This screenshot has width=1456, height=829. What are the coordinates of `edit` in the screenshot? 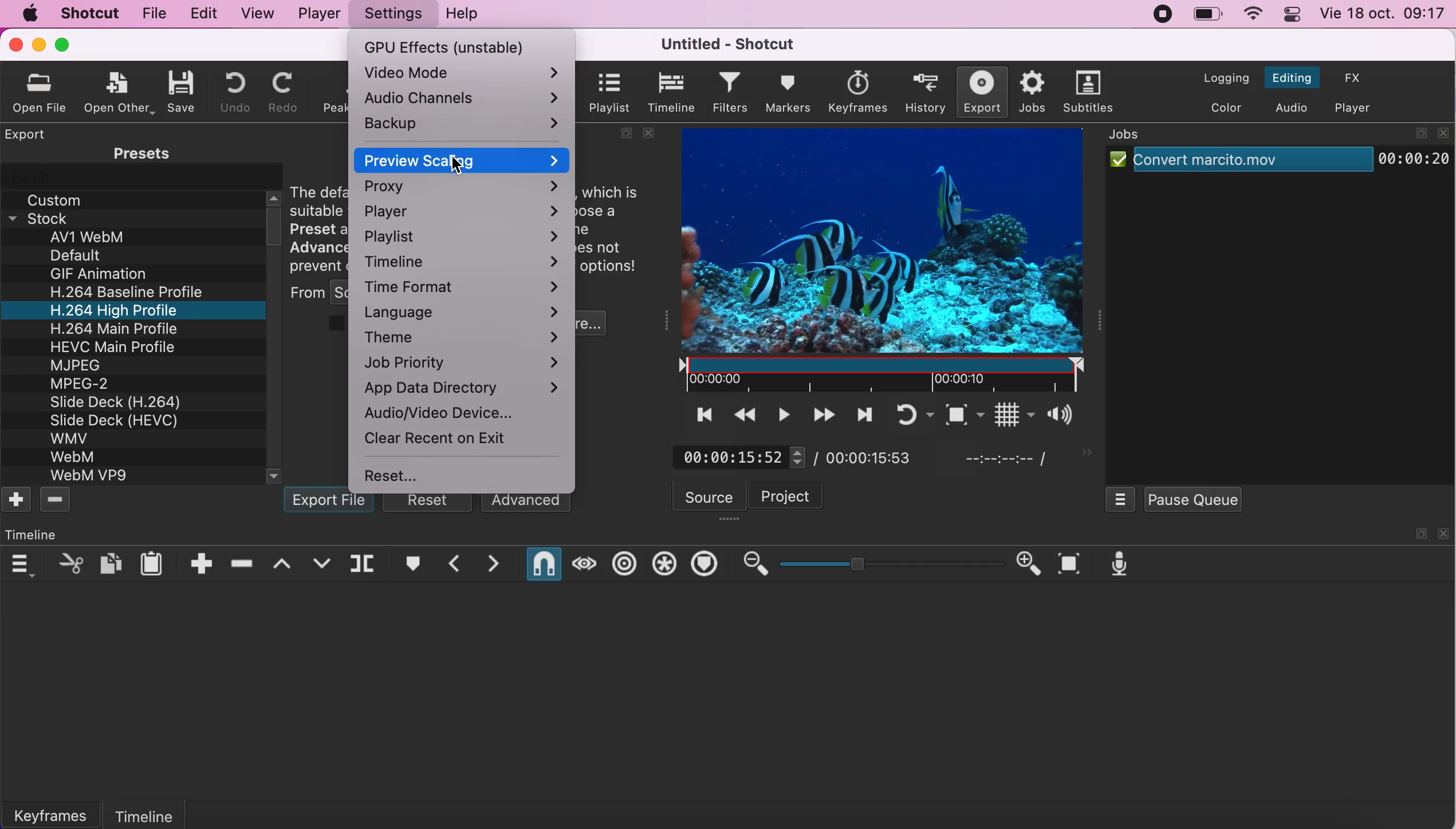 It's located at (201, 12).